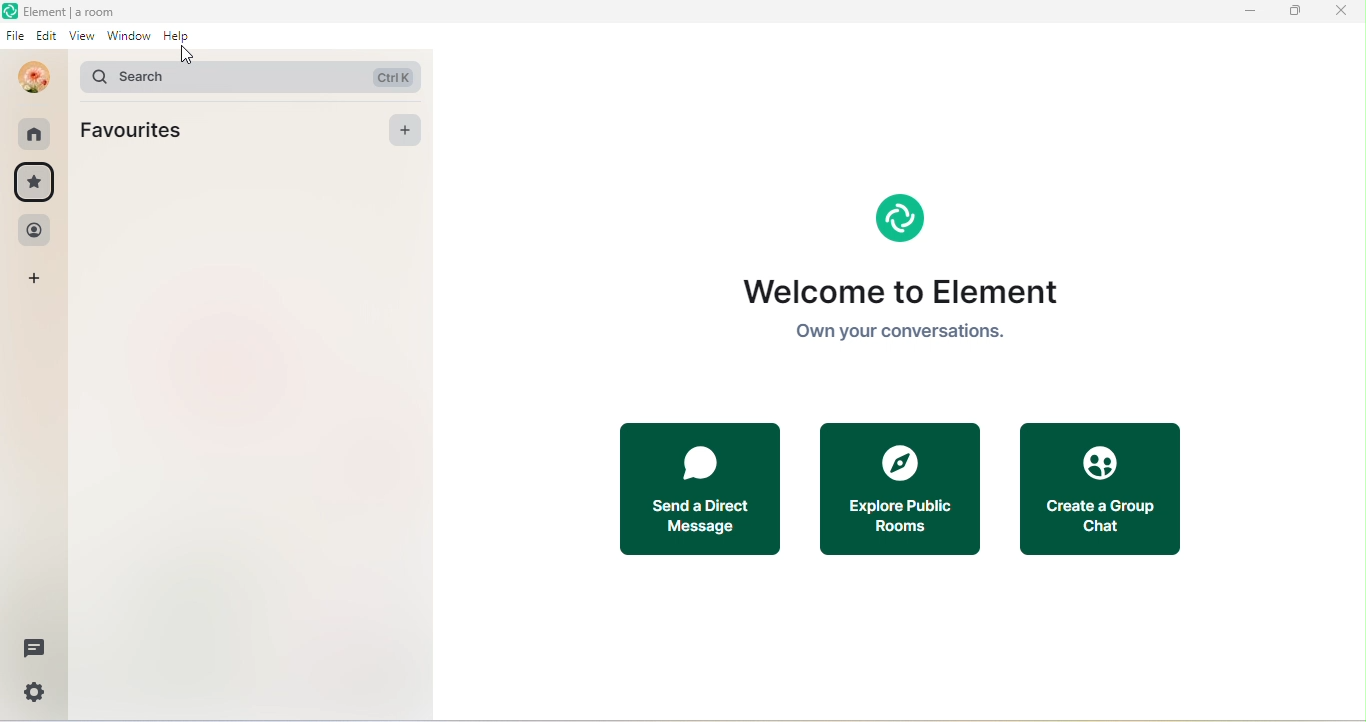 This screenshot has height=722, width=1366. Describe the element at coordinates (1105, 485) in the screenshot. I see `create a group chat` at that location.